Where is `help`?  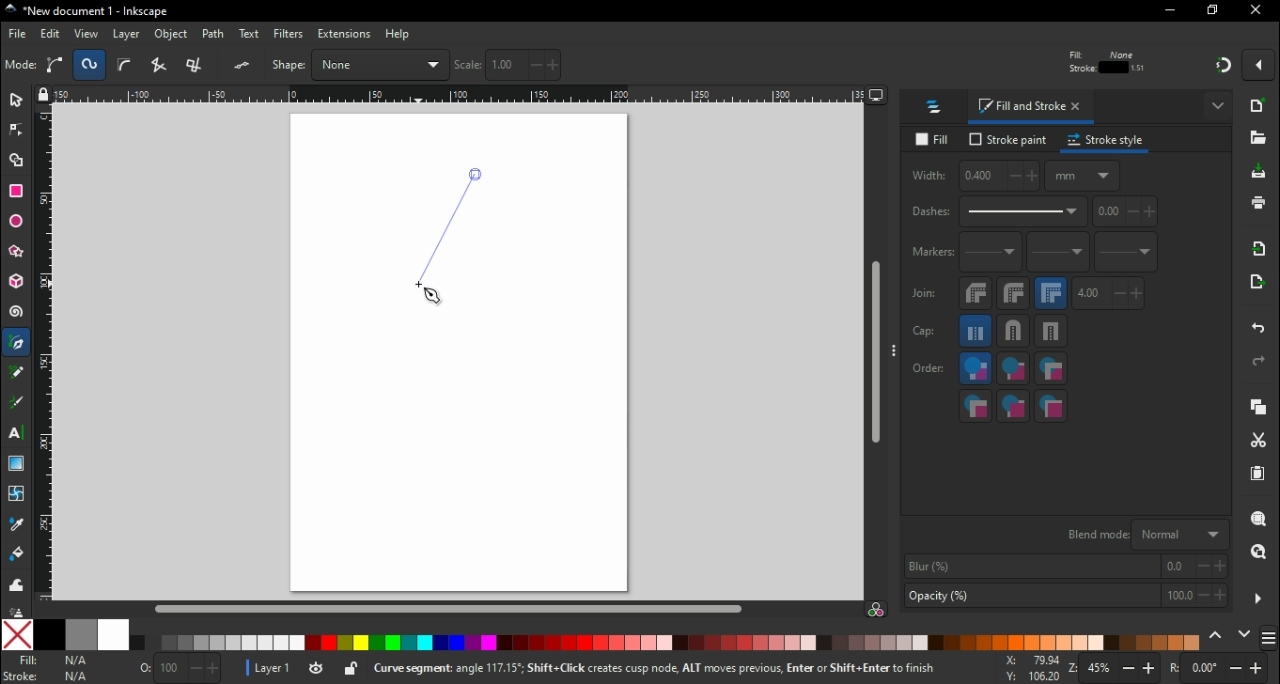
help is located at coordinates (399, 35).